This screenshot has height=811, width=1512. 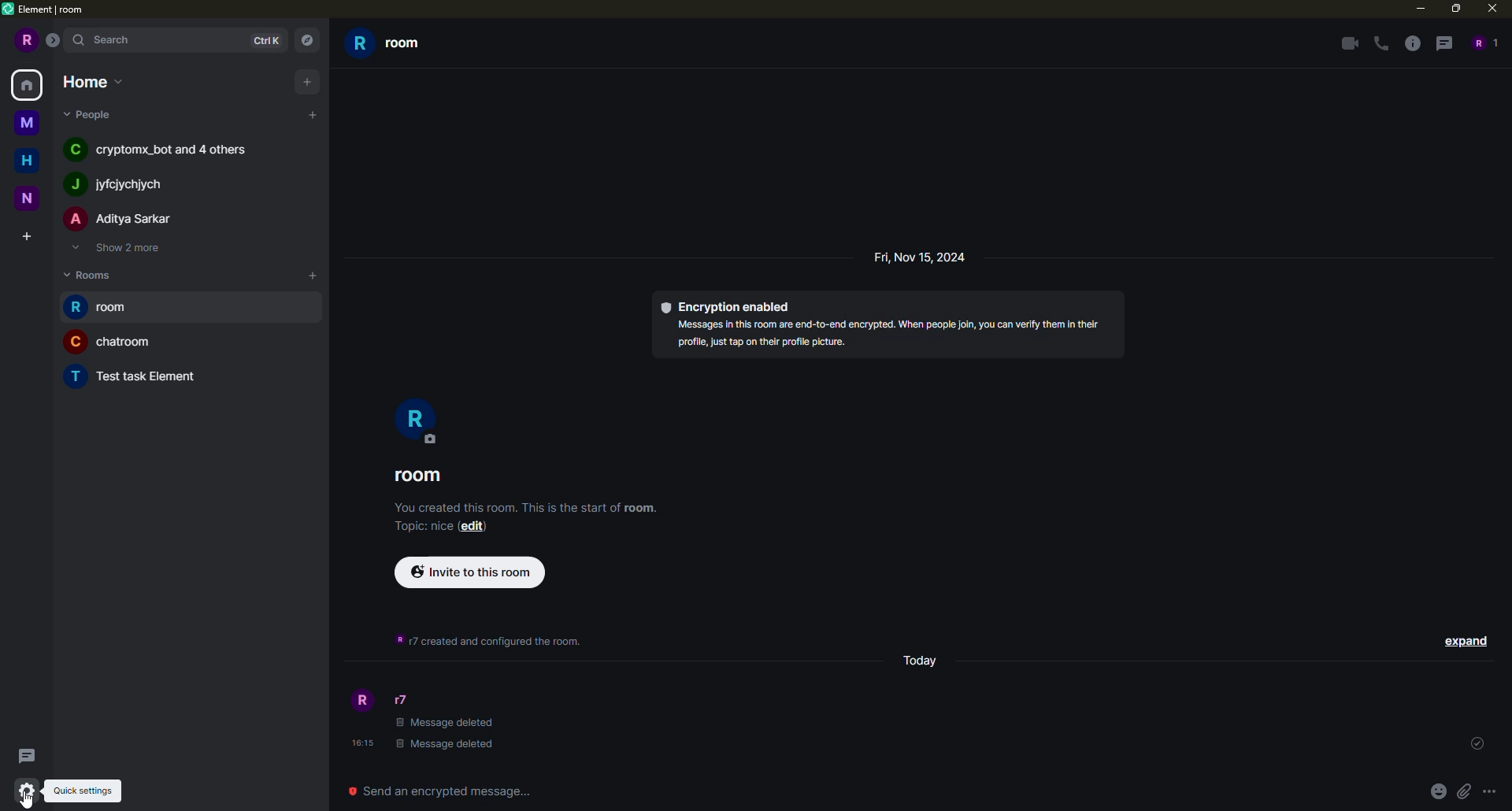 What do you see at coordinates (923, 659) in the screenshot?
I see `day` at bounding box center [923, 659].